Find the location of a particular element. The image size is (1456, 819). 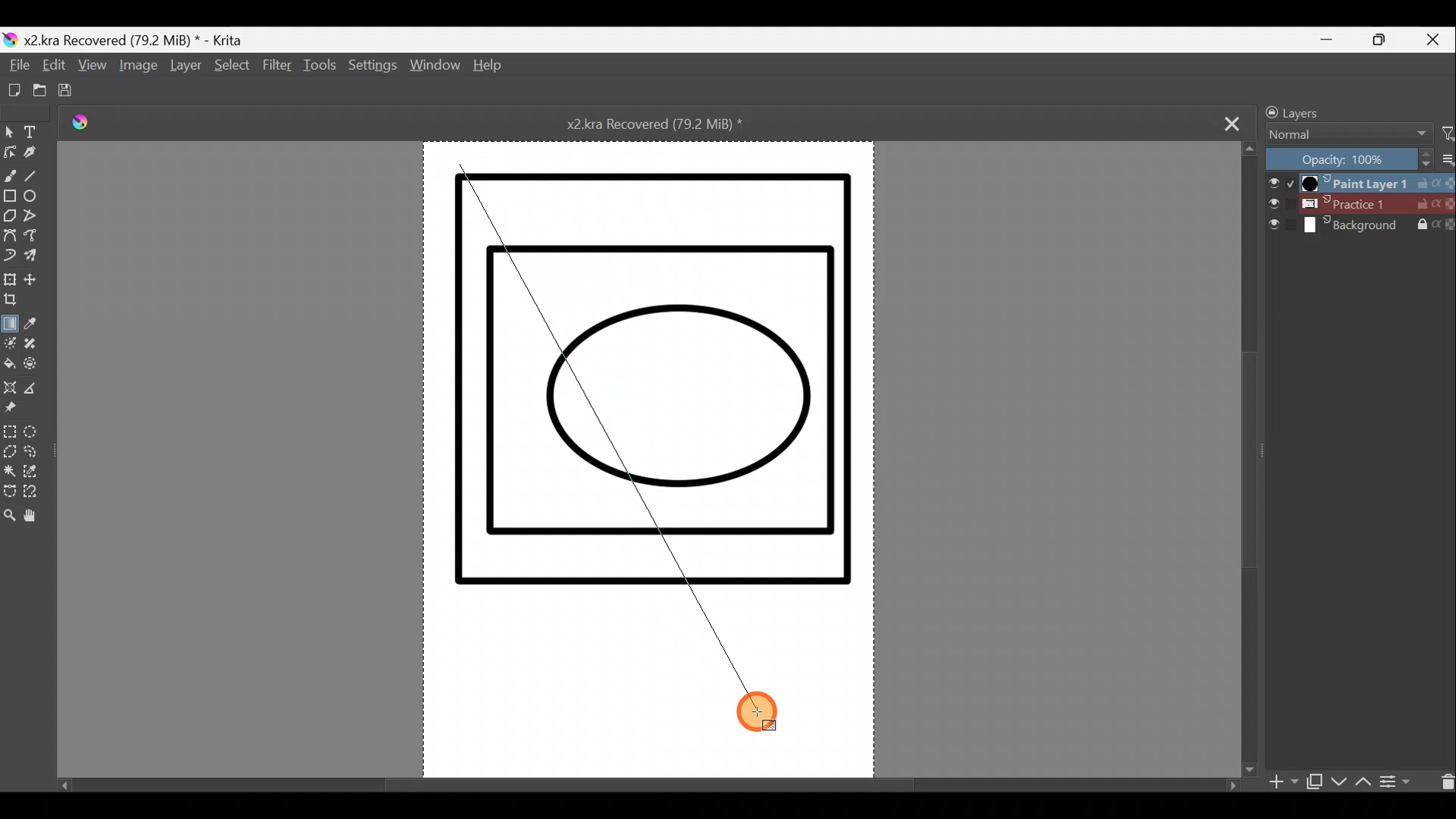

Layer 1 is located at coordinates (1357, 181).